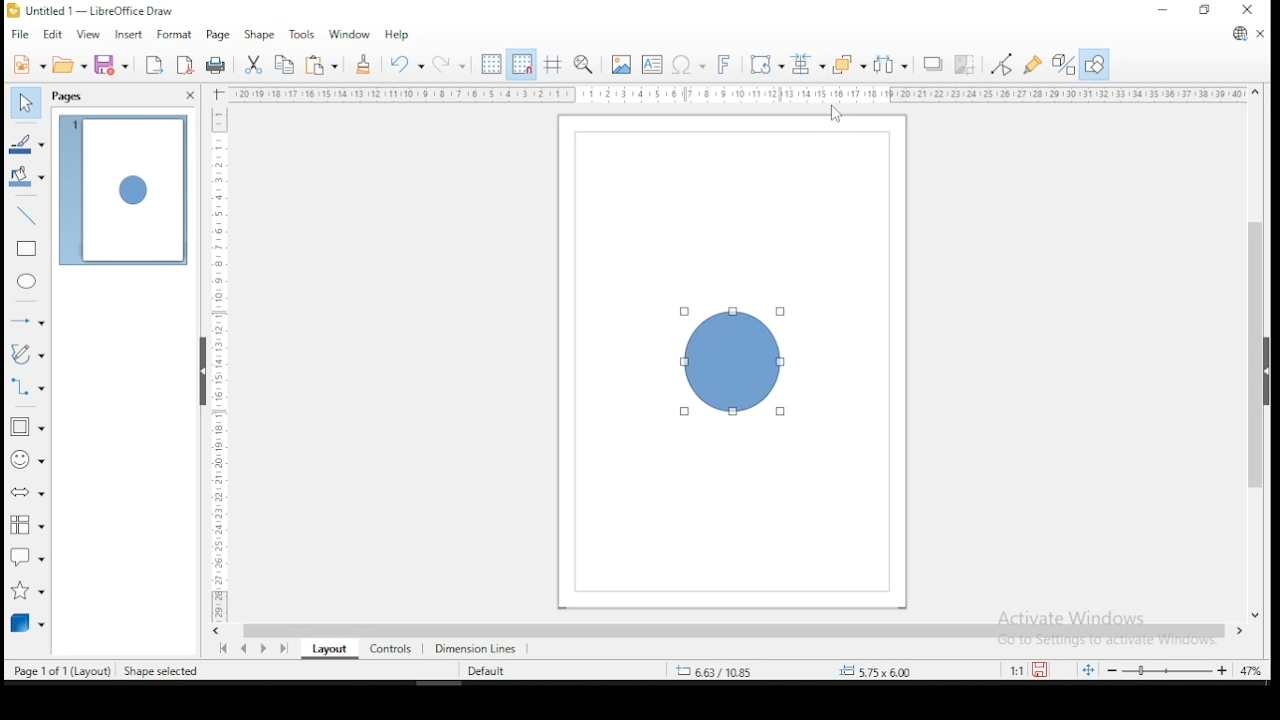 This screenshot has width=1280, height=720. I want to click on first page, so click(221, 649).